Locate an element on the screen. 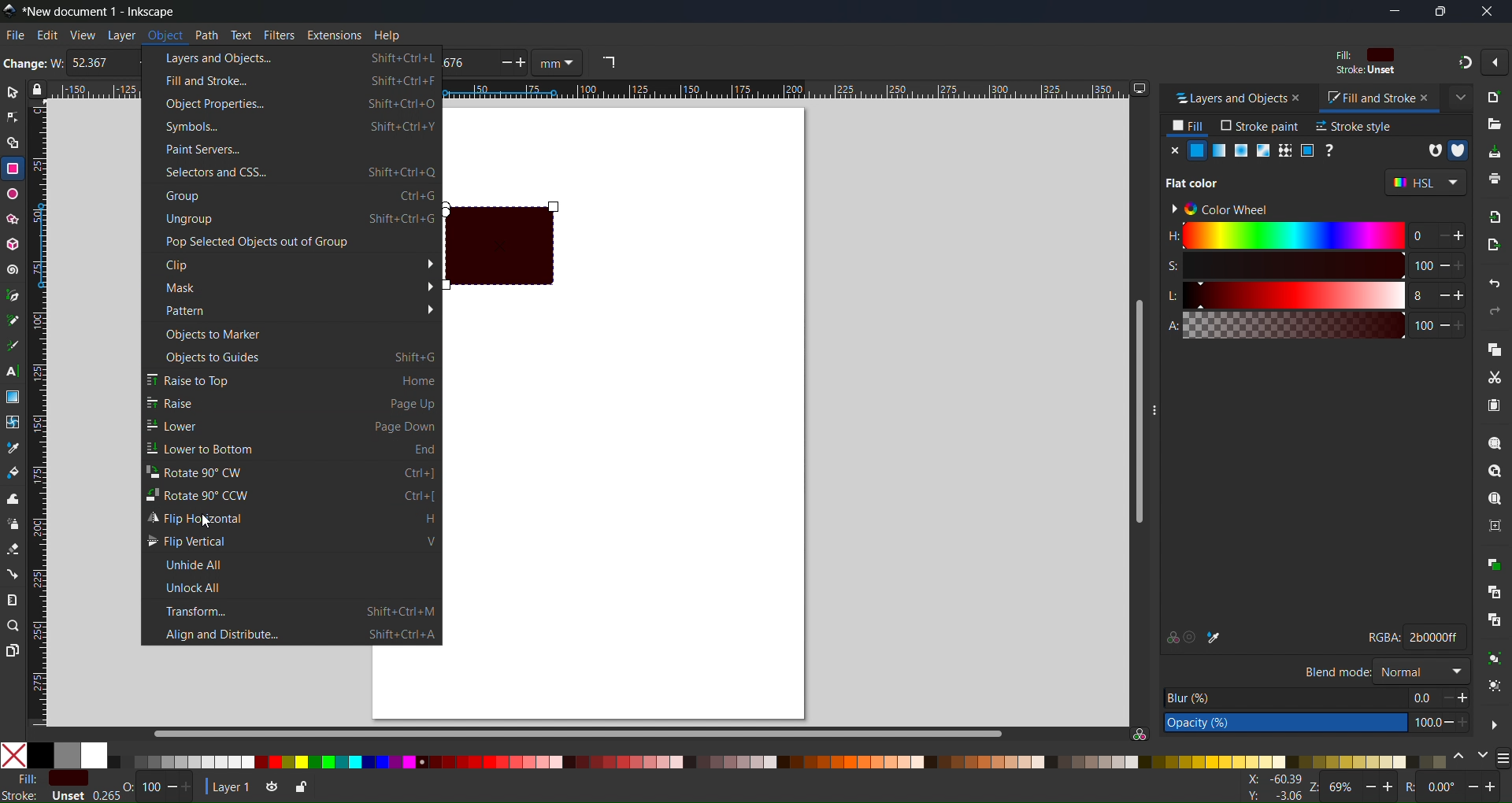  Zoom tool is located at coordinates (13, 625).